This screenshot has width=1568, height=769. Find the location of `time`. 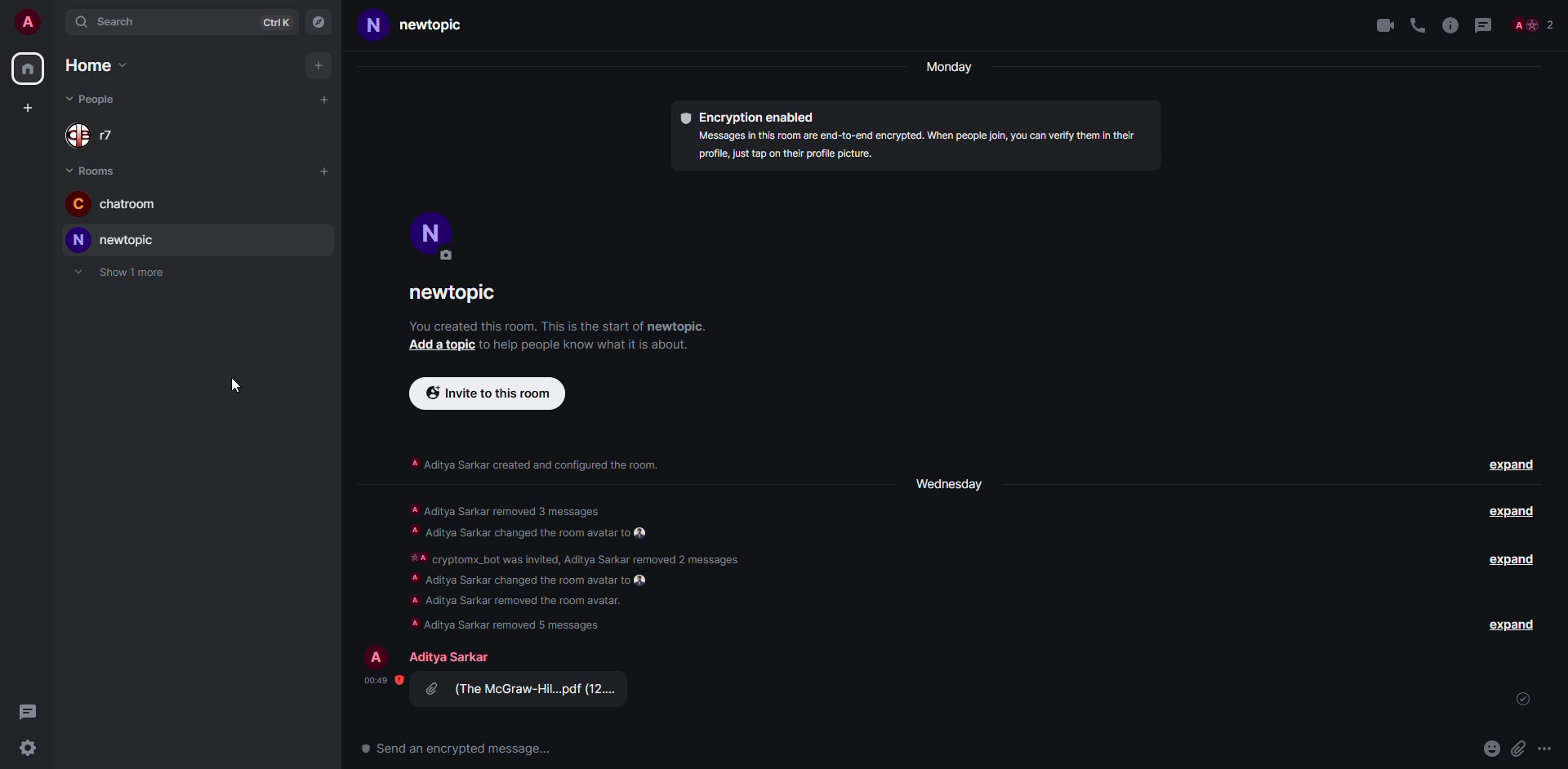

time is located at coordinates (377, 681).